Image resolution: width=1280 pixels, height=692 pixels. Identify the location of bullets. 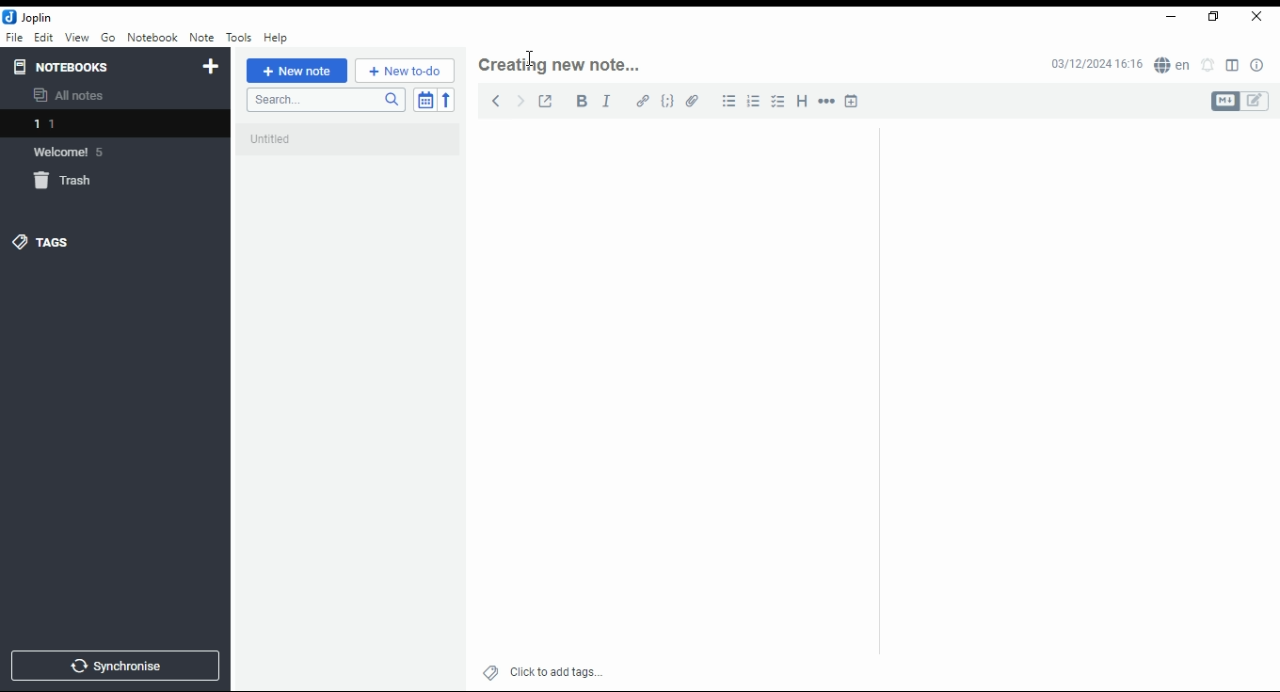
(726, 101).